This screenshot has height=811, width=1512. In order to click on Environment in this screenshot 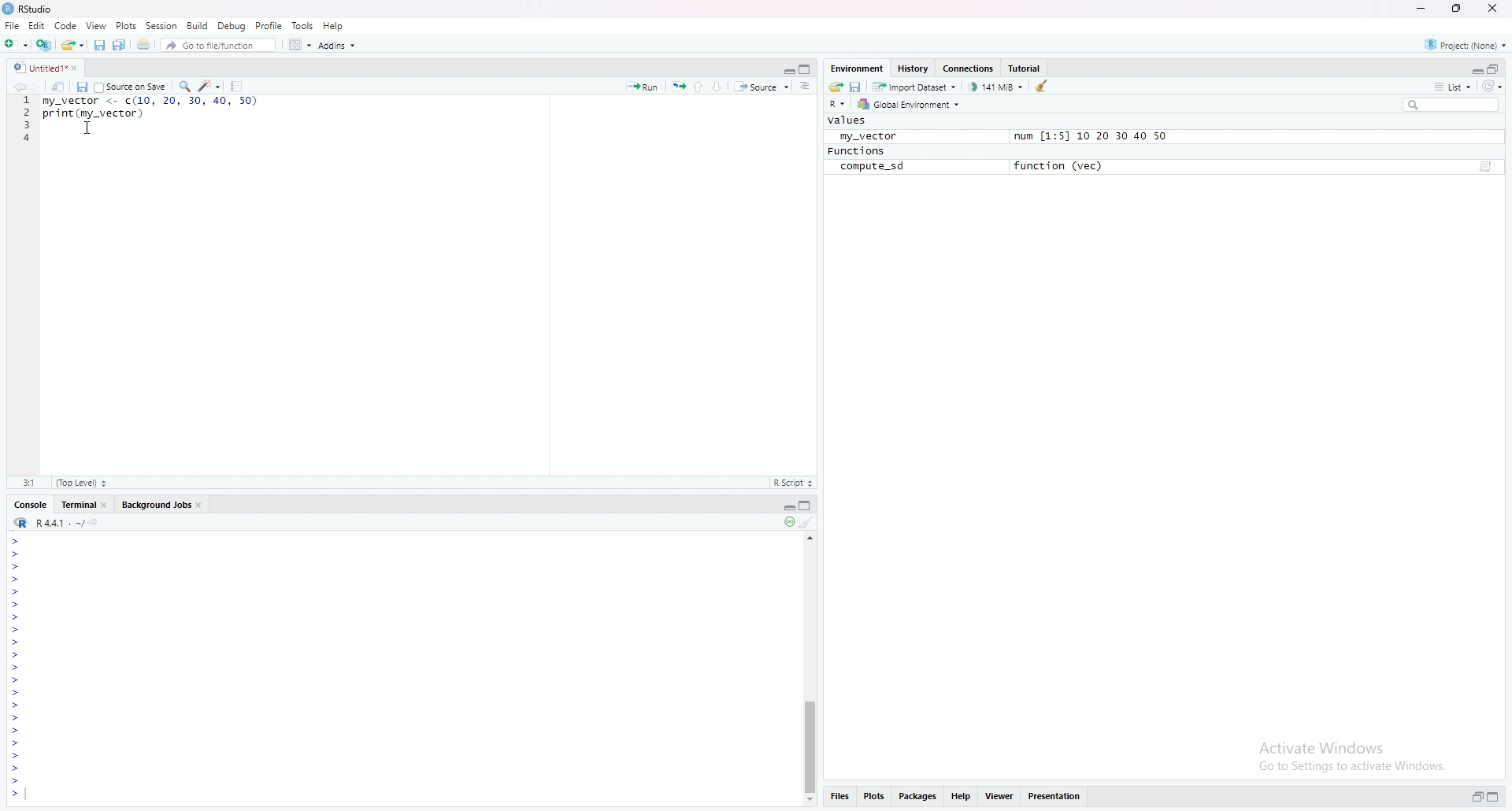, I will do `click(857, 67)`.